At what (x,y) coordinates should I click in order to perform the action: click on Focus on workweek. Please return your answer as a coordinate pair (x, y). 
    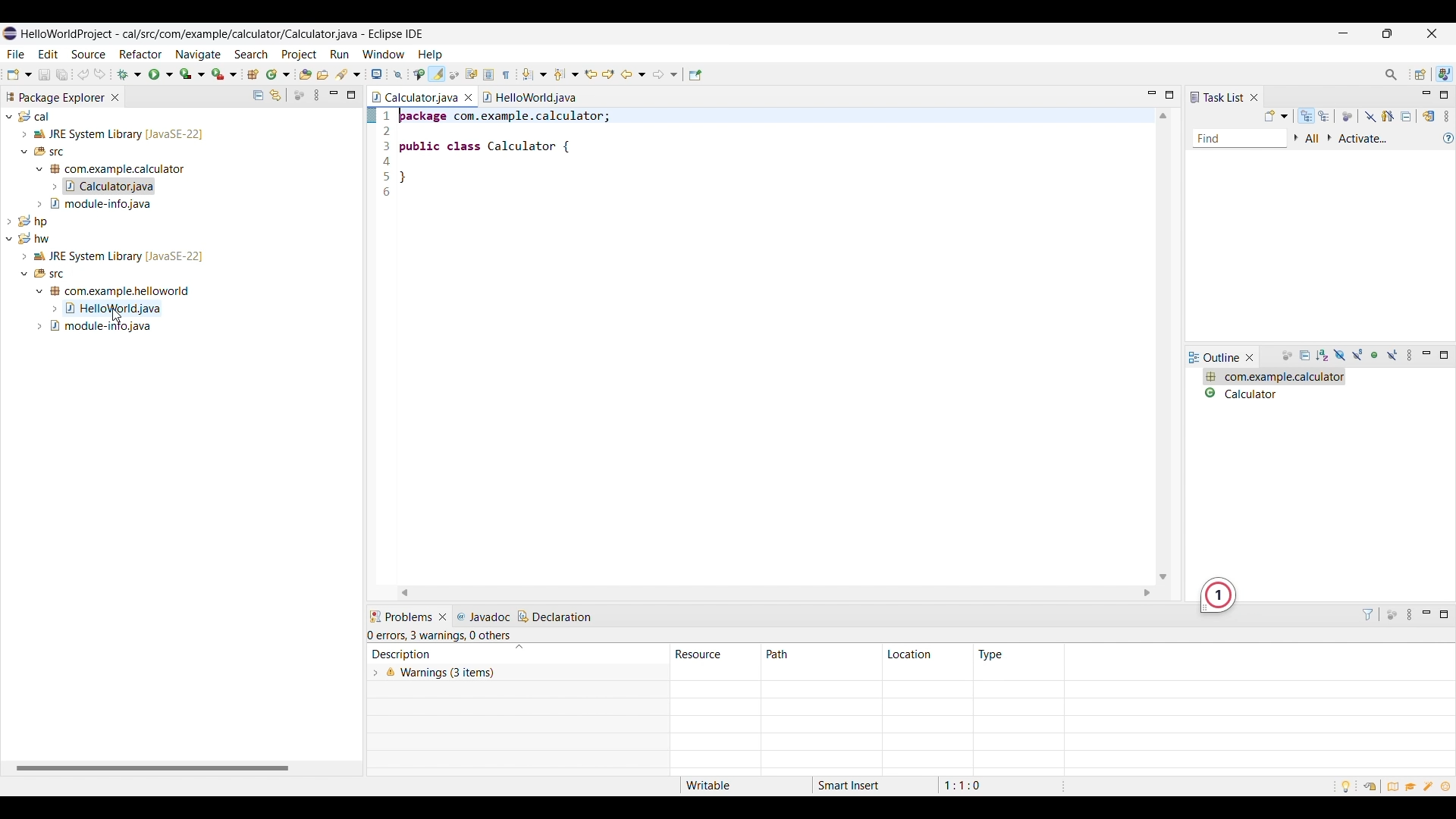
    Looking at the image, I should click on (1348, 117).